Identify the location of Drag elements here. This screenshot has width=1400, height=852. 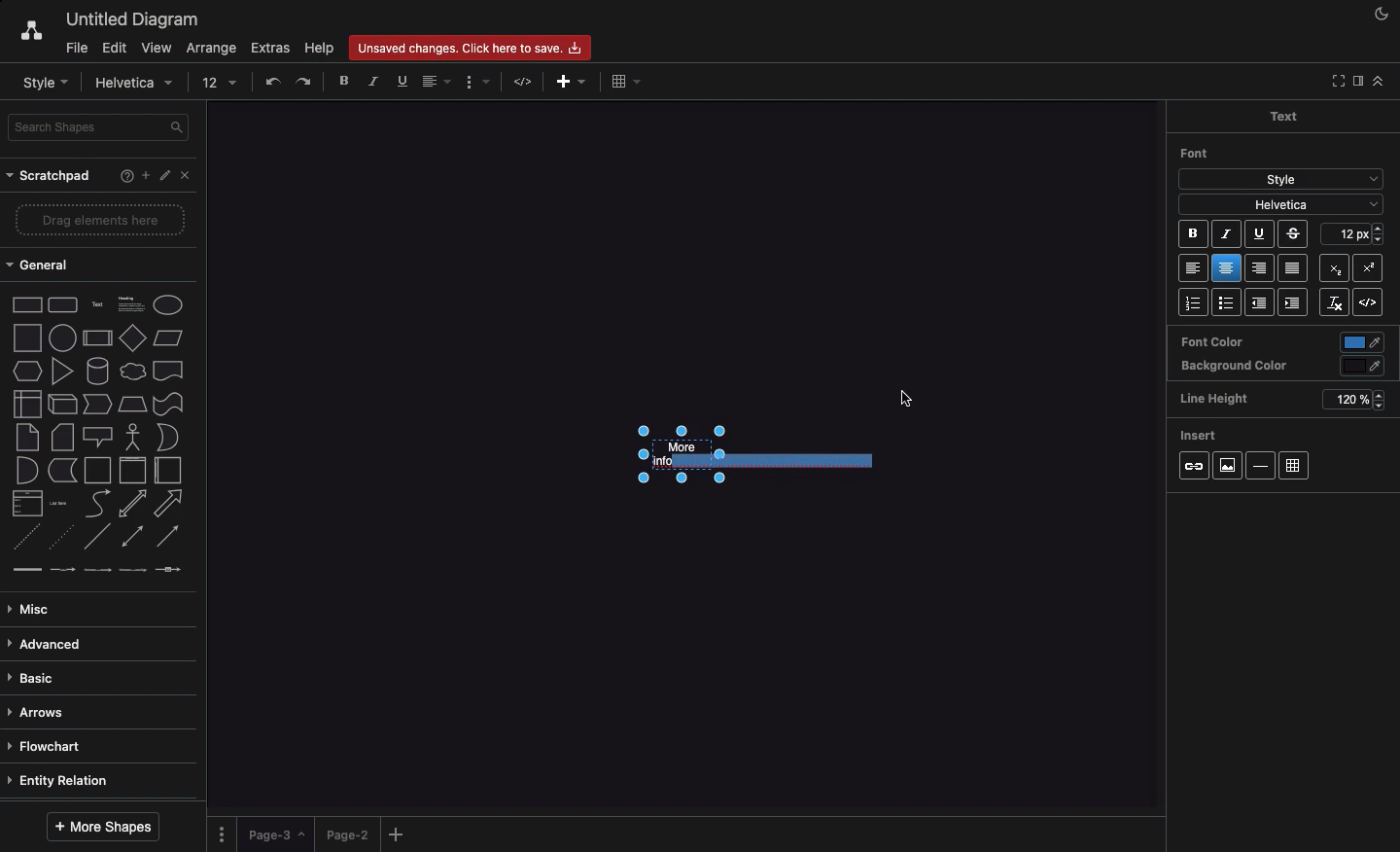
(102, 219).